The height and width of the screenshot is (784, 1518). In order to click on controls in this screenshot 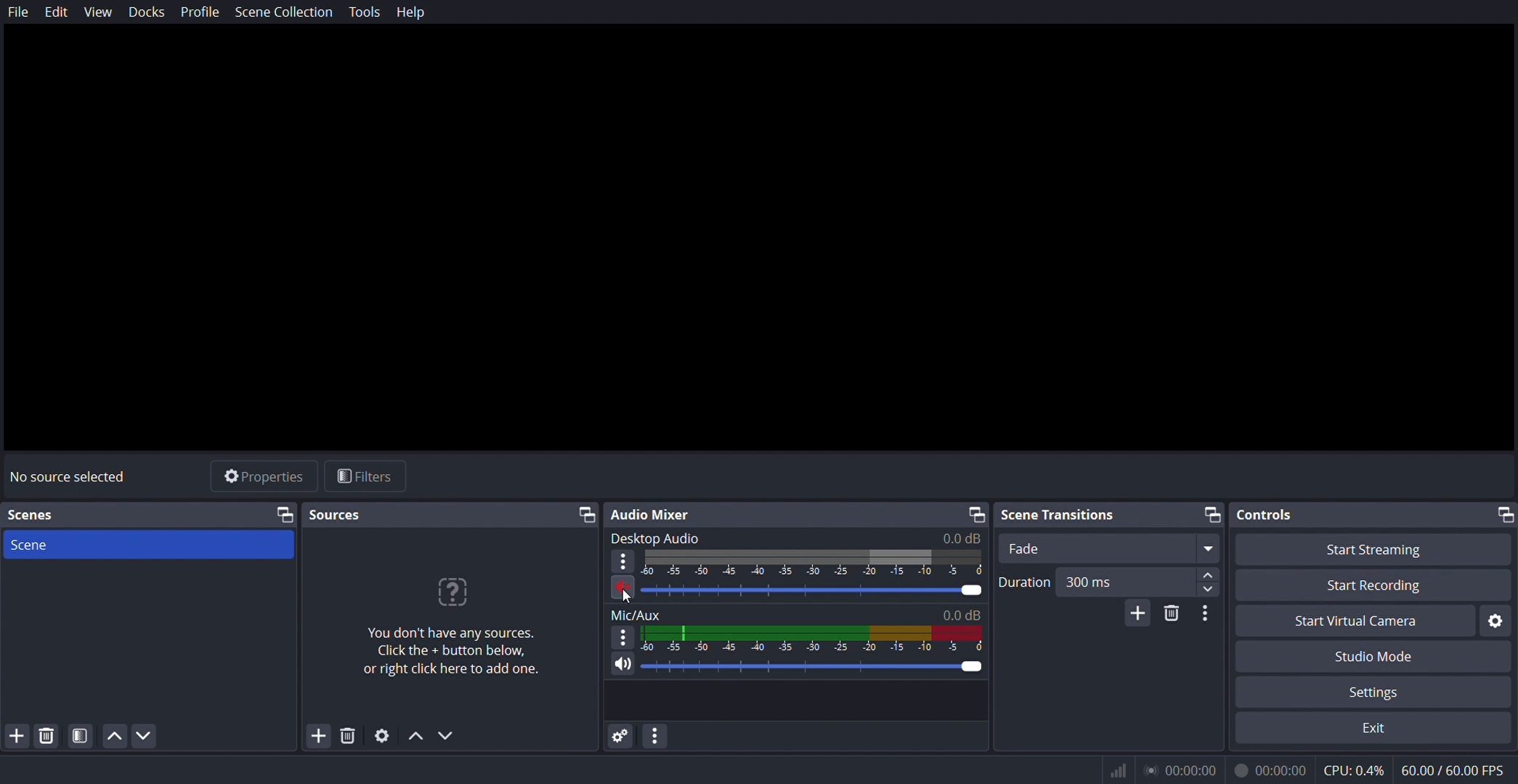, I will do `click(1266, 515)`.